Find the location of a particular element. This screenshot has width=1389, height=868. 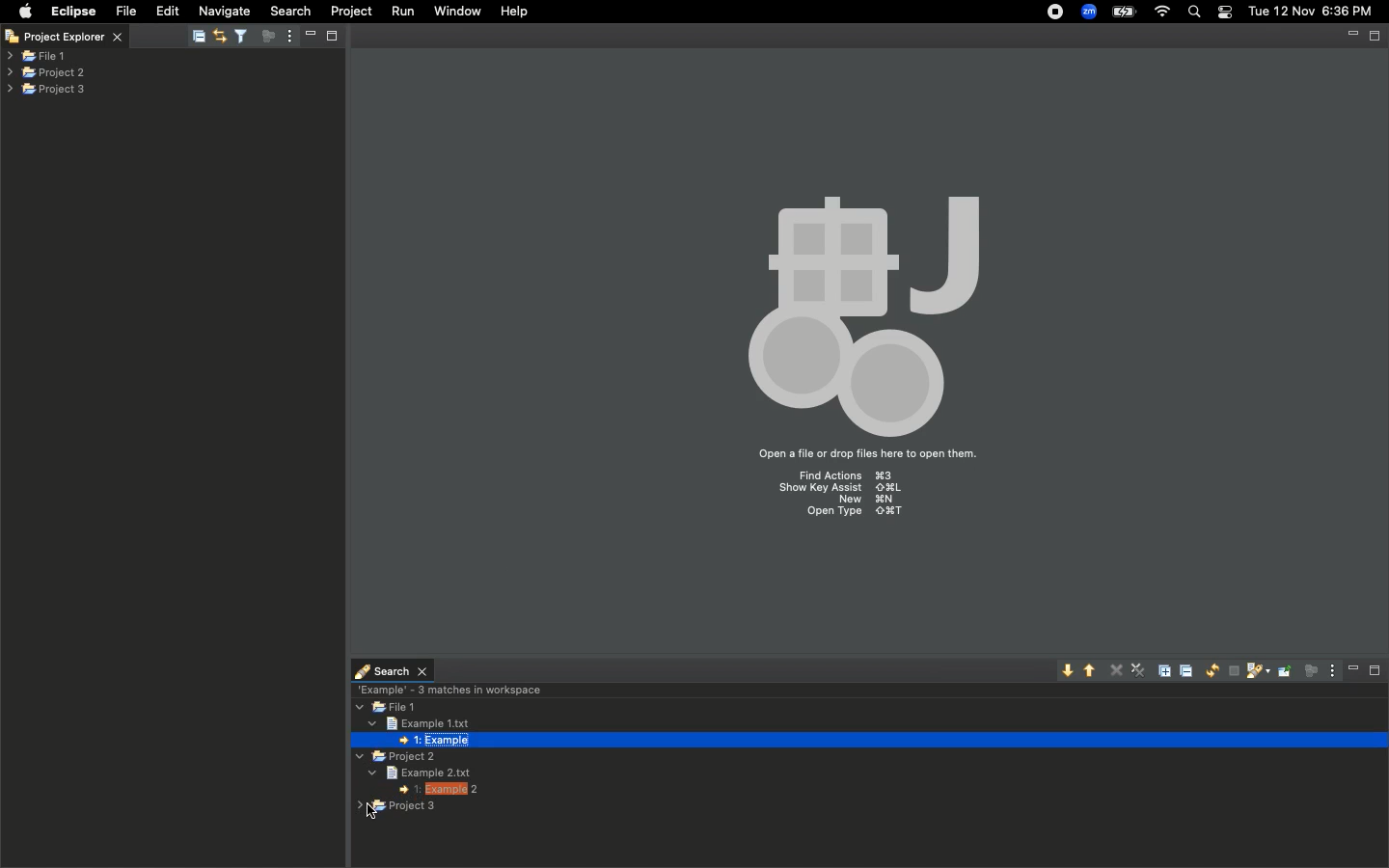

Cancel current search is located at coordinates (1232, 671).